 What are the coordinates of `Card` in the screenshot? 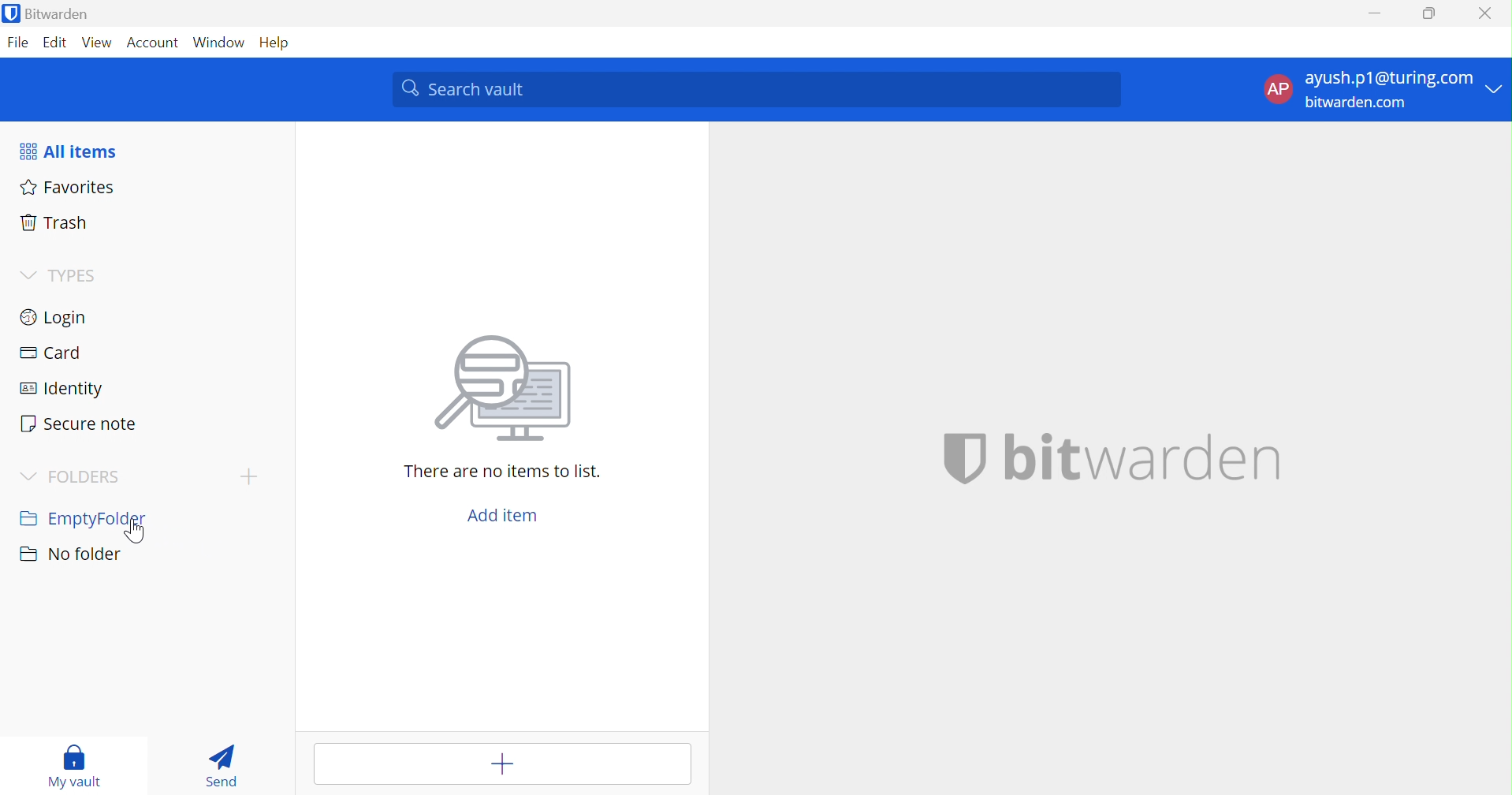 It's located at (50, 354).